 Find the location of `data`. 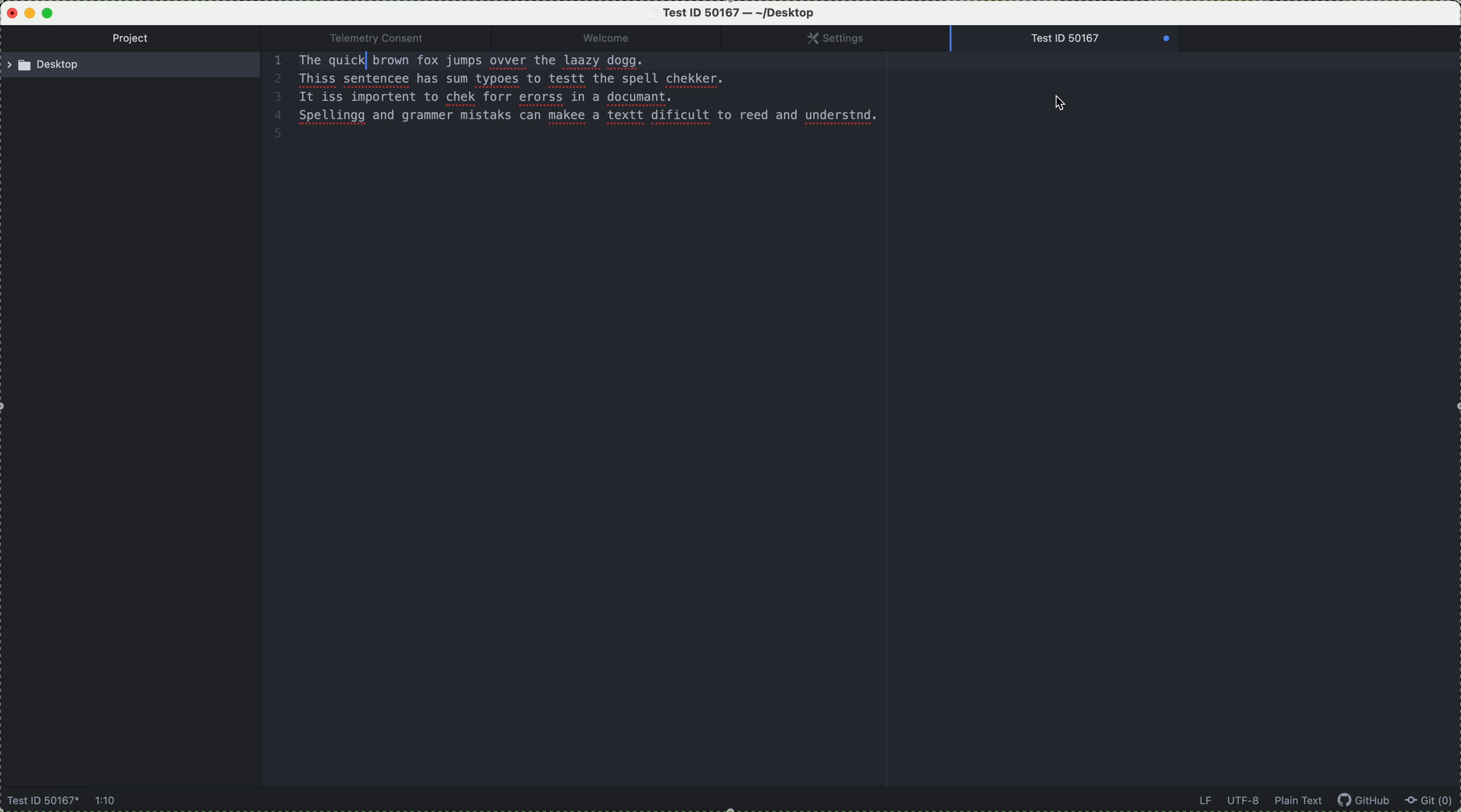

data is located at coordinates (1259, 801).